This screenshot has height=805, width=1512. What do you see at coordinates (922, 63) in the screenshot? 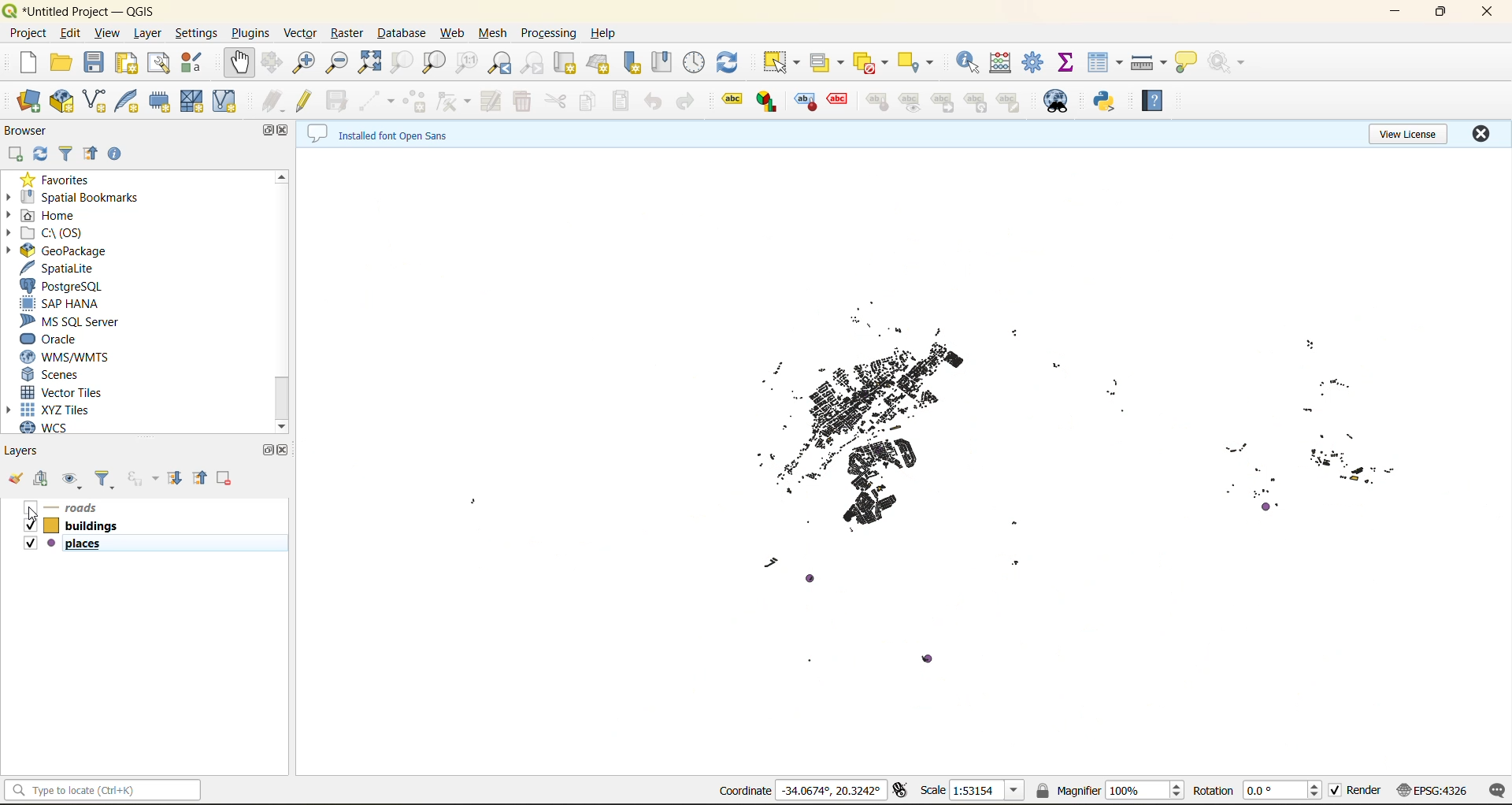
I see `select location` at bounding box center [922, 63].